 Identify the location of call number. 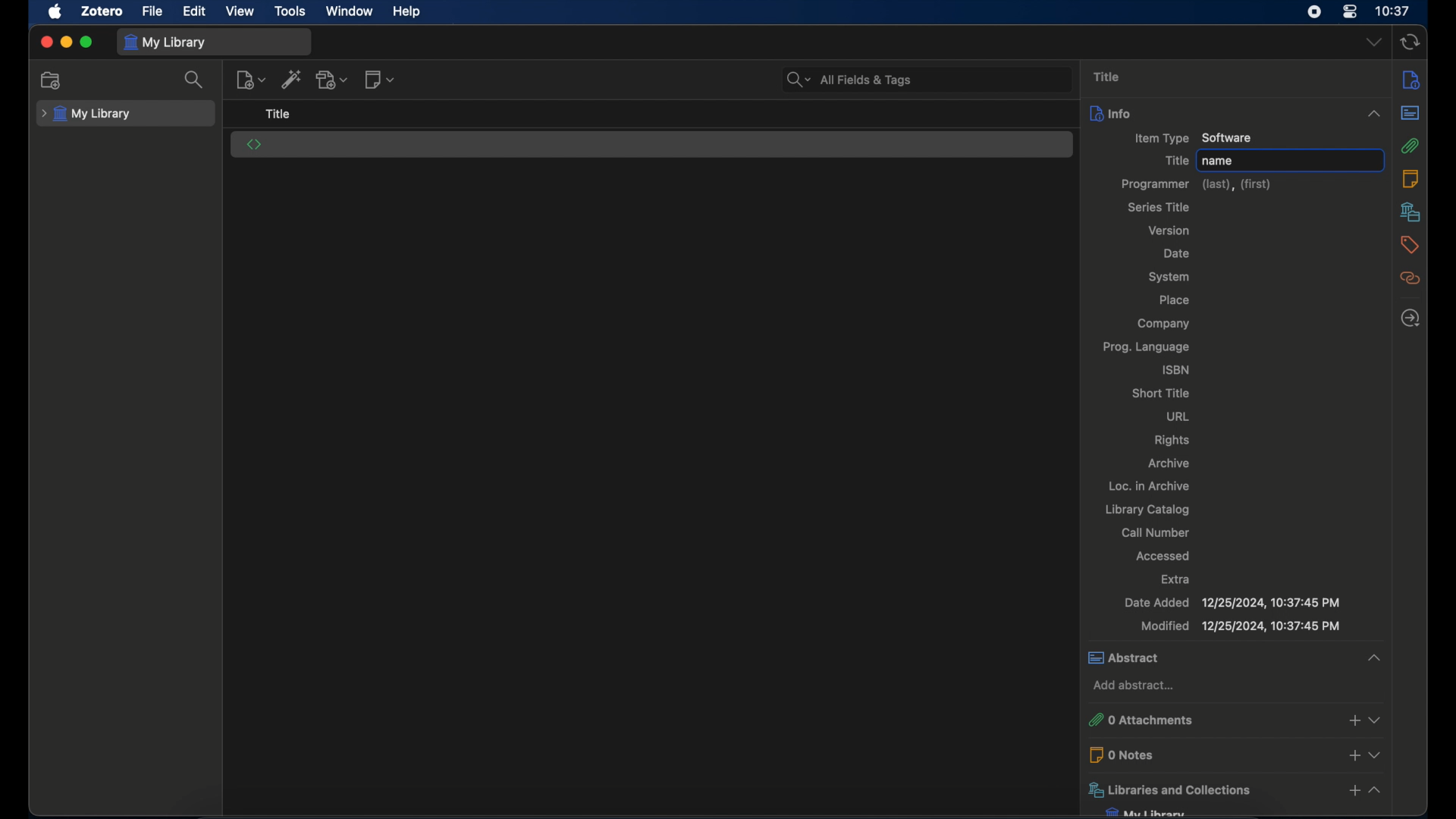
(1155, 532).